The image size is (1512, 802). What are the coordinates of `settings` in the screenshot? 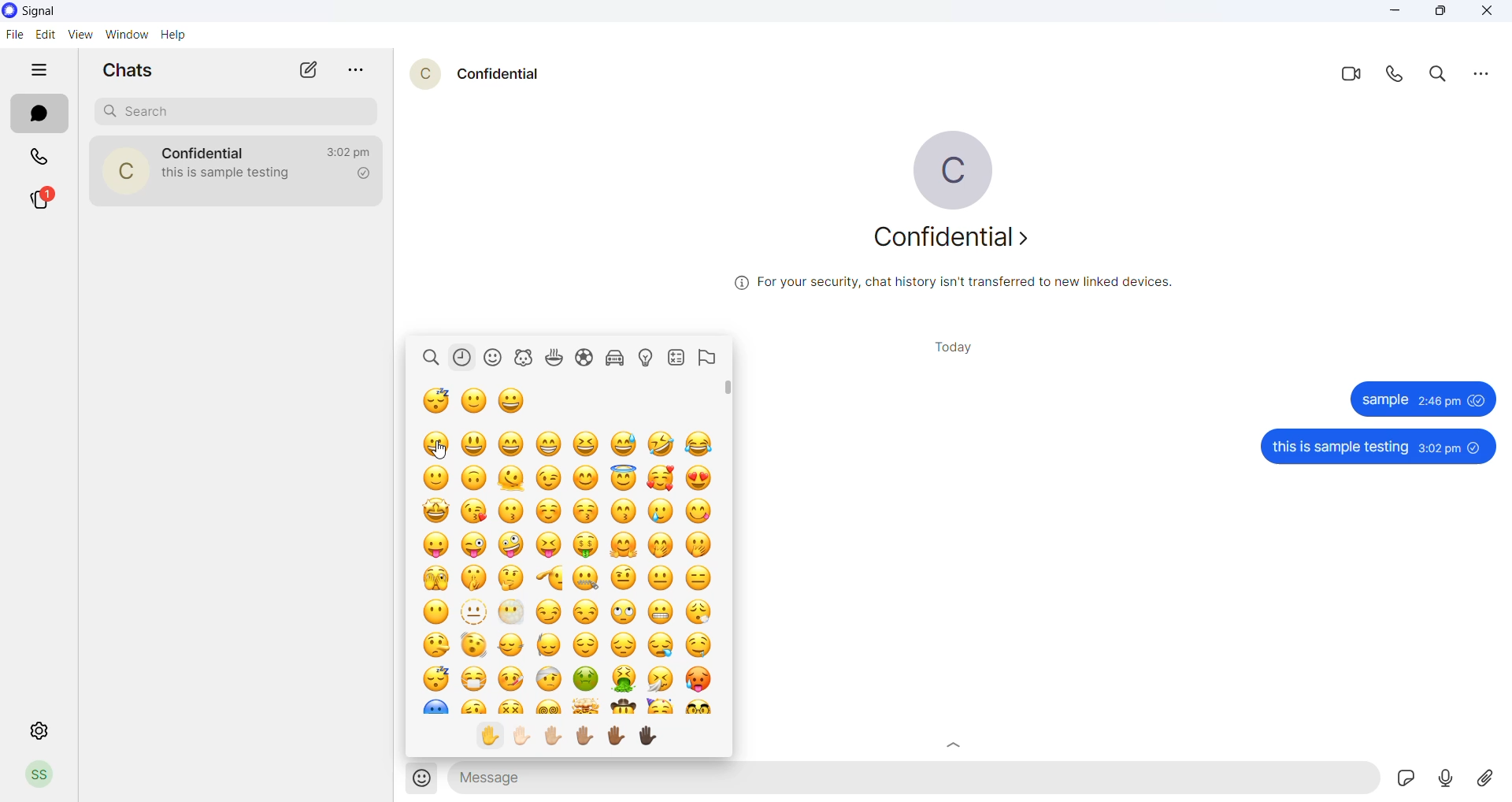 It's located at (32, 732).